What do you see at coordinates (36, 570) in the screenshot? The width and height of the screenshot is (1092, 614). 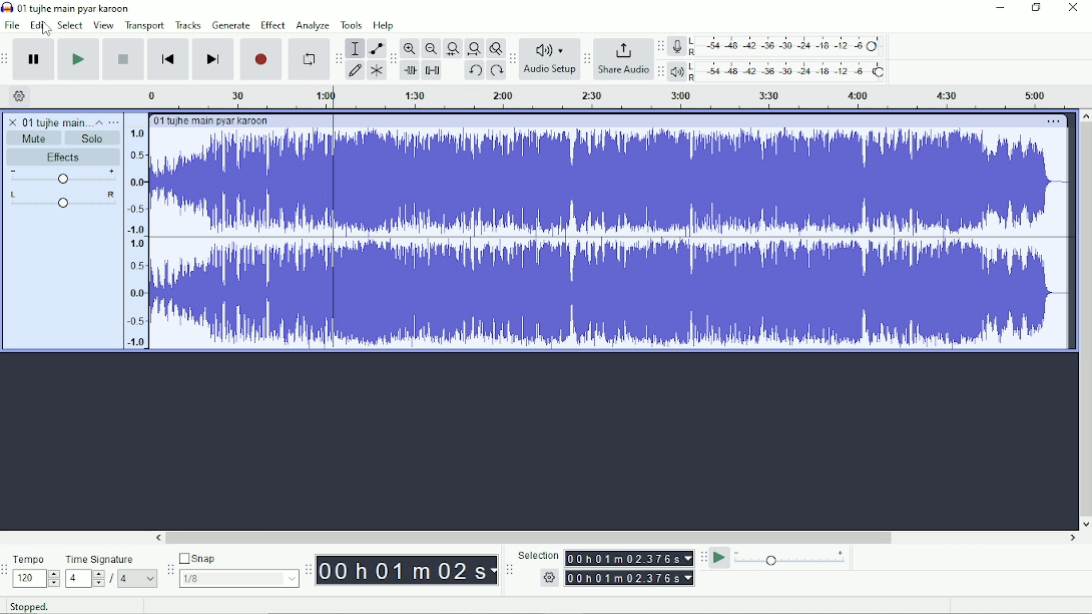 I see `Tempo` at bounding box center [36, 570].